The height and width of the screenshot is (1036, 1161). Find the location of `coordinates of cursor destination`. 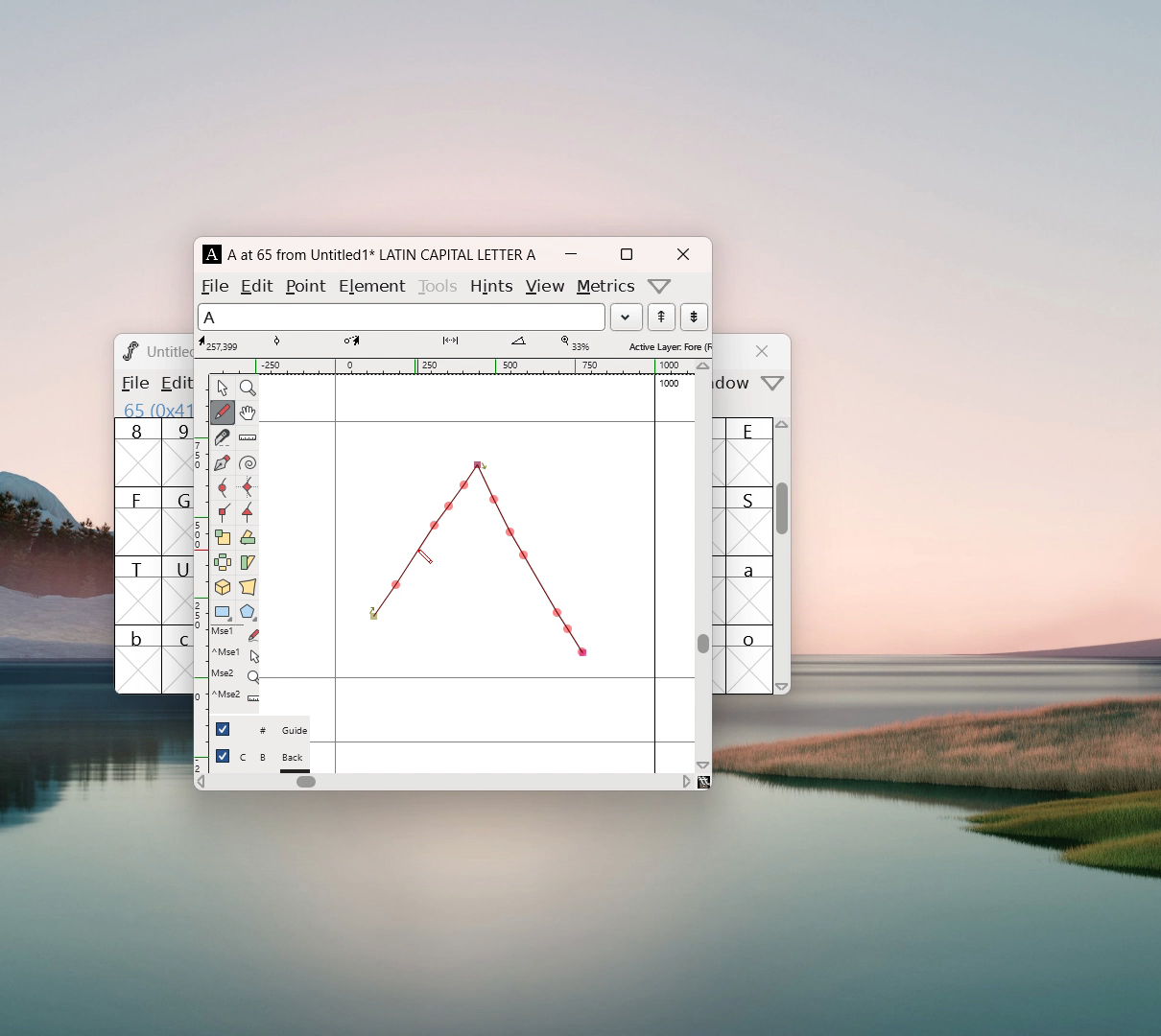

coordinates of cursor destination is located at coordinates (370, 343).